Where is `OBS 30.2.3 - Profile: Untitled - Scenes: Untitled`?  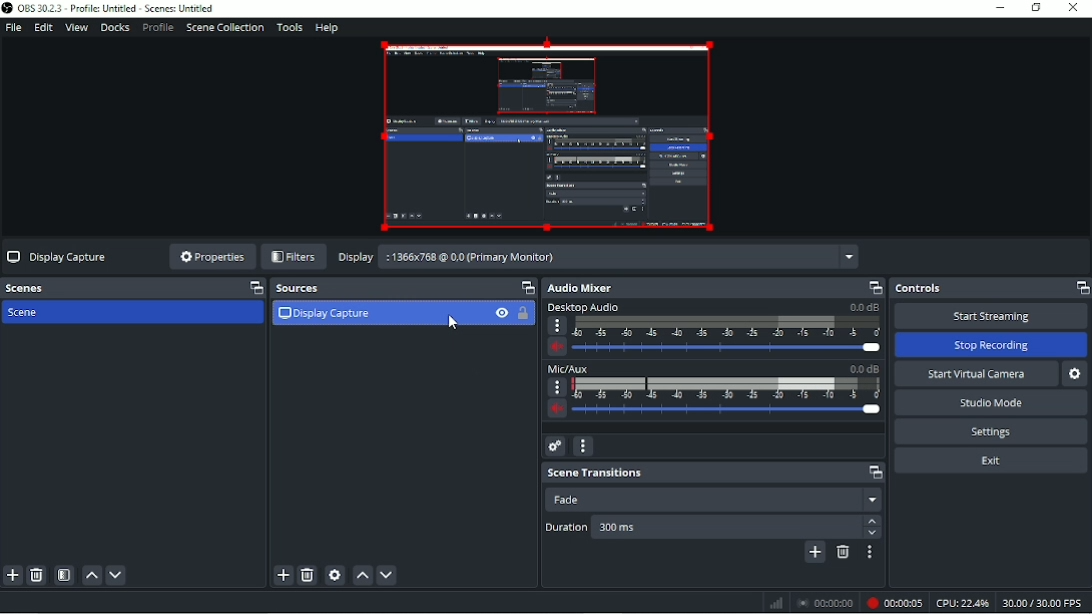 OBS 30.2.3 - Profile: Untitled - Scenes: Untitled is located at coordinates (137, 9).